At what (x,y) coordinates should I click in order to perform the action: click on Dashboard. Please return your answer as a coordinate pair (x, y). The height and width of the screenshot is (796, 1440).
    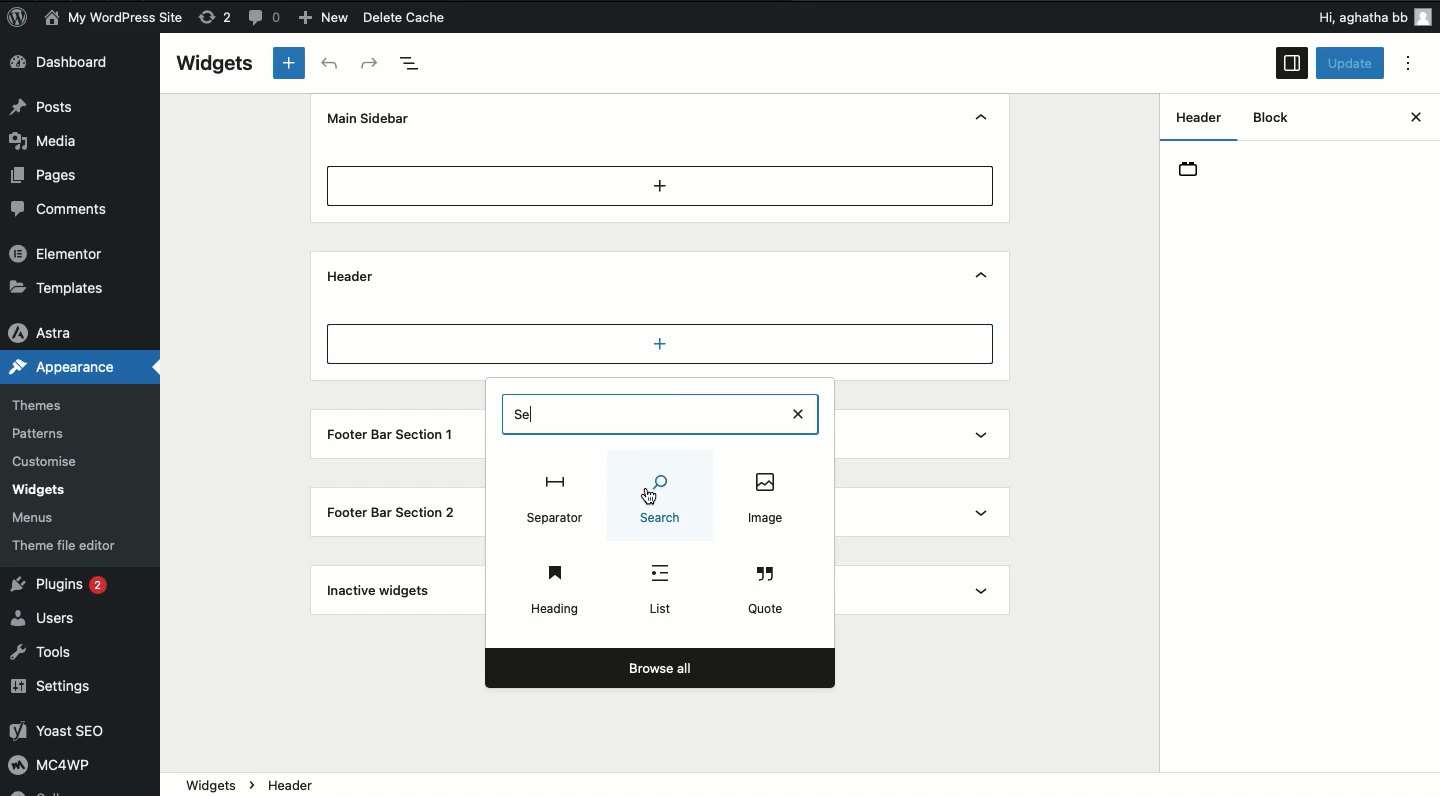
    Looking at the image, I should click on (74, 64).